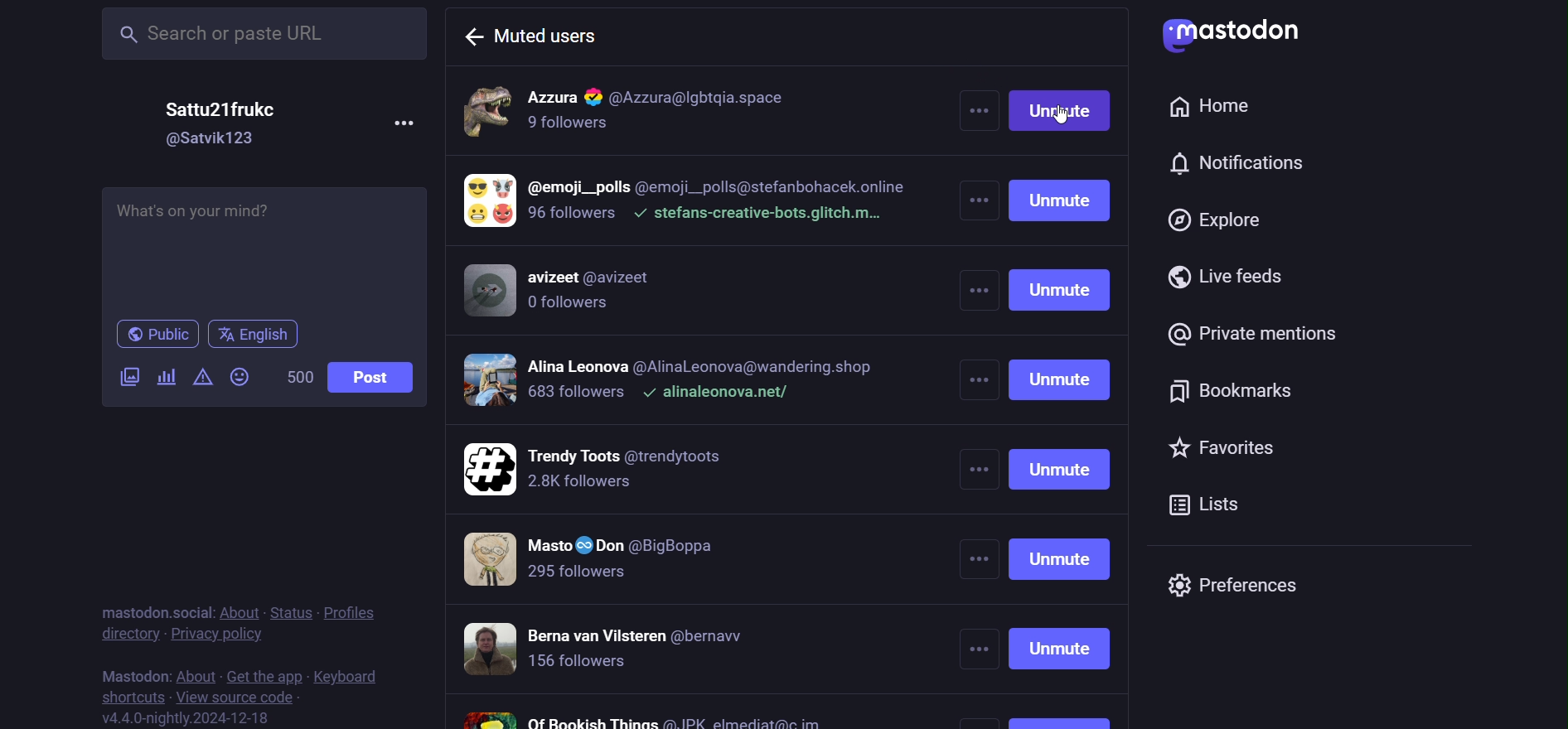 This screenshot has height=729, width=1568. Describe the element at coordinates (298, 377) in the screenshot. I see `word limit` at that location.